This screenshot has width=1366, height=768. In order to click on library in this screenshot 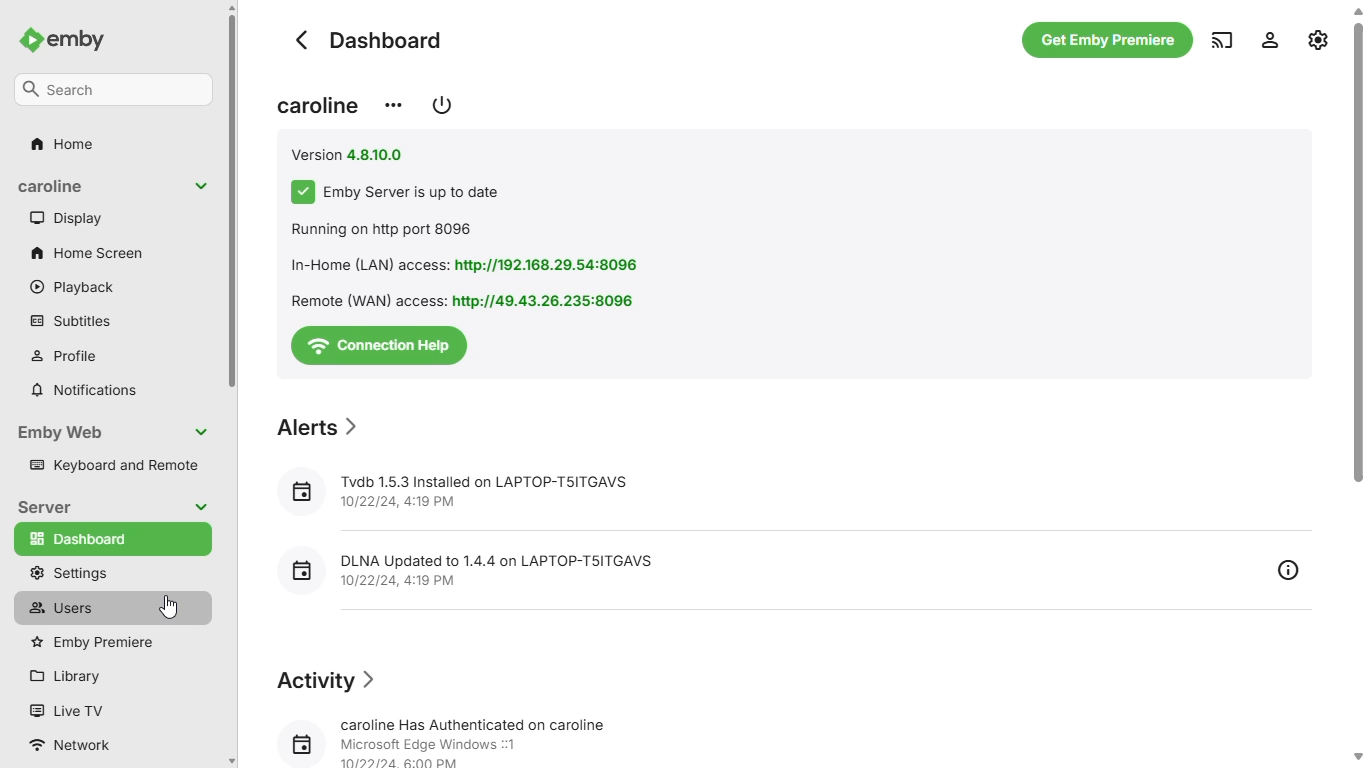, I will do `click(64, 676)`.